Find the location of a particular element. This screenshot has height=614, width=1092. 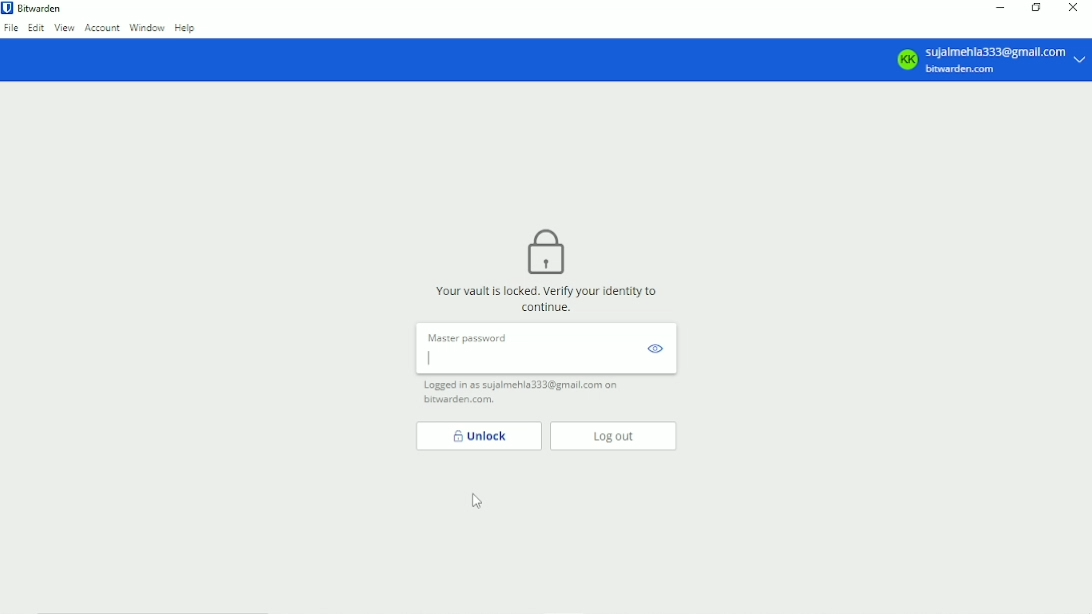

sujaimehla333@gmall.com  bitwarden.com is located at coordinates (992, 59).